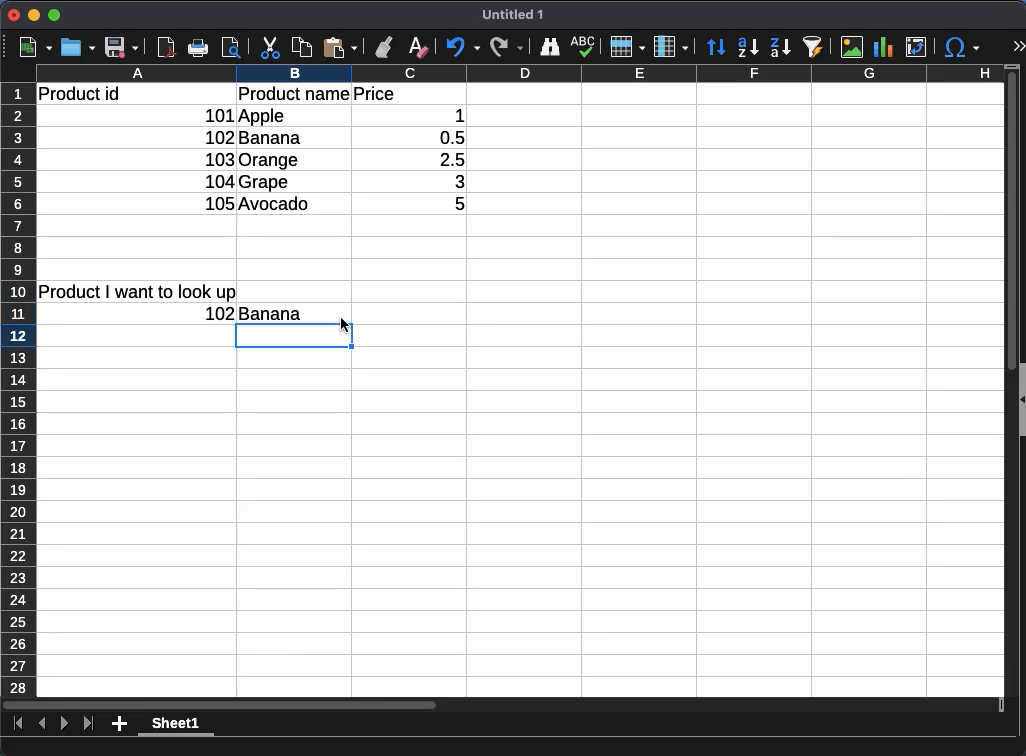 Image resolution: width=1026 pixels, height=756 pixels. I want to click on product name, so click(294, 93).